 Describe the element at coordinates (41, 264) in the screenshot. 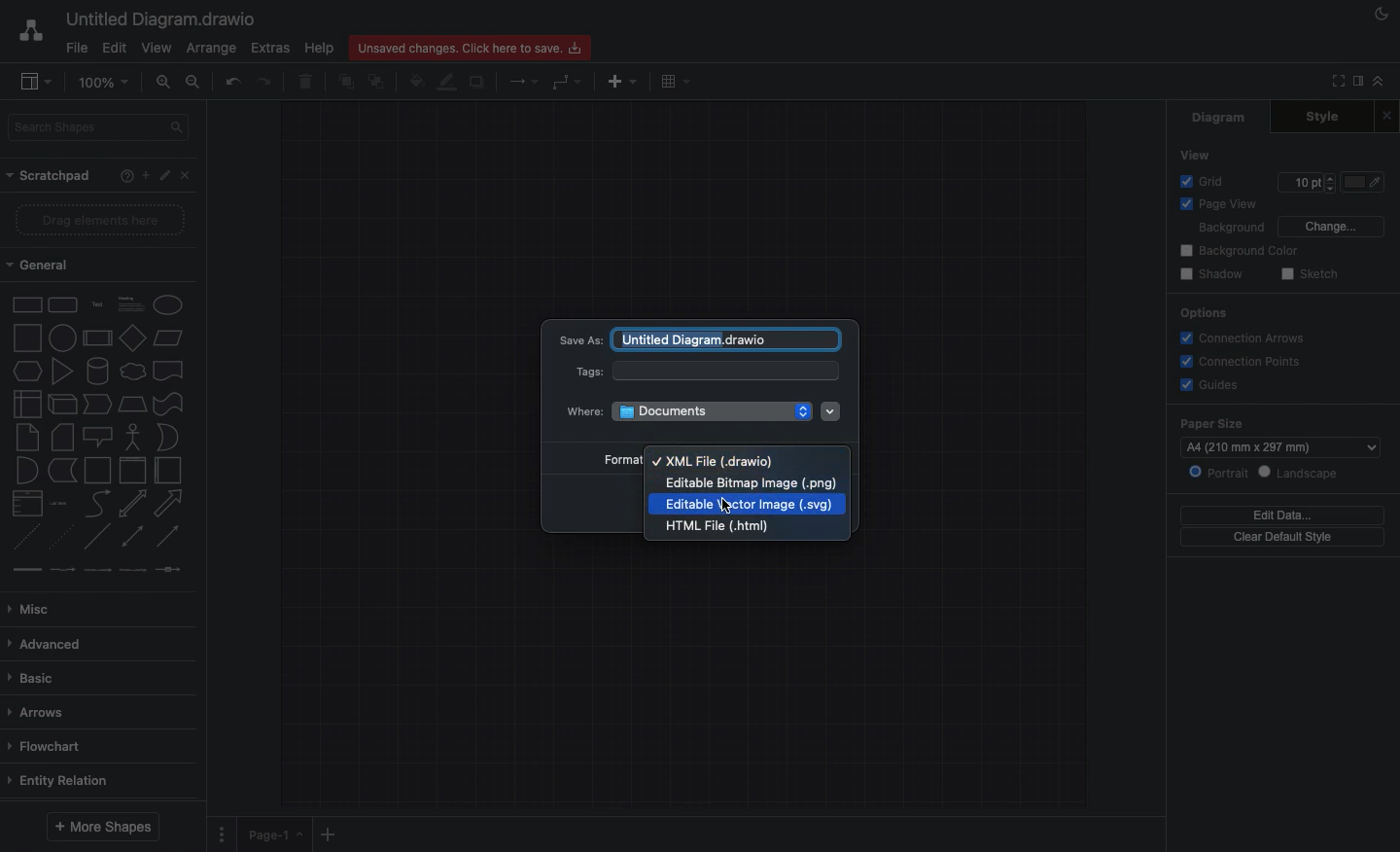

I see `General` at that location.